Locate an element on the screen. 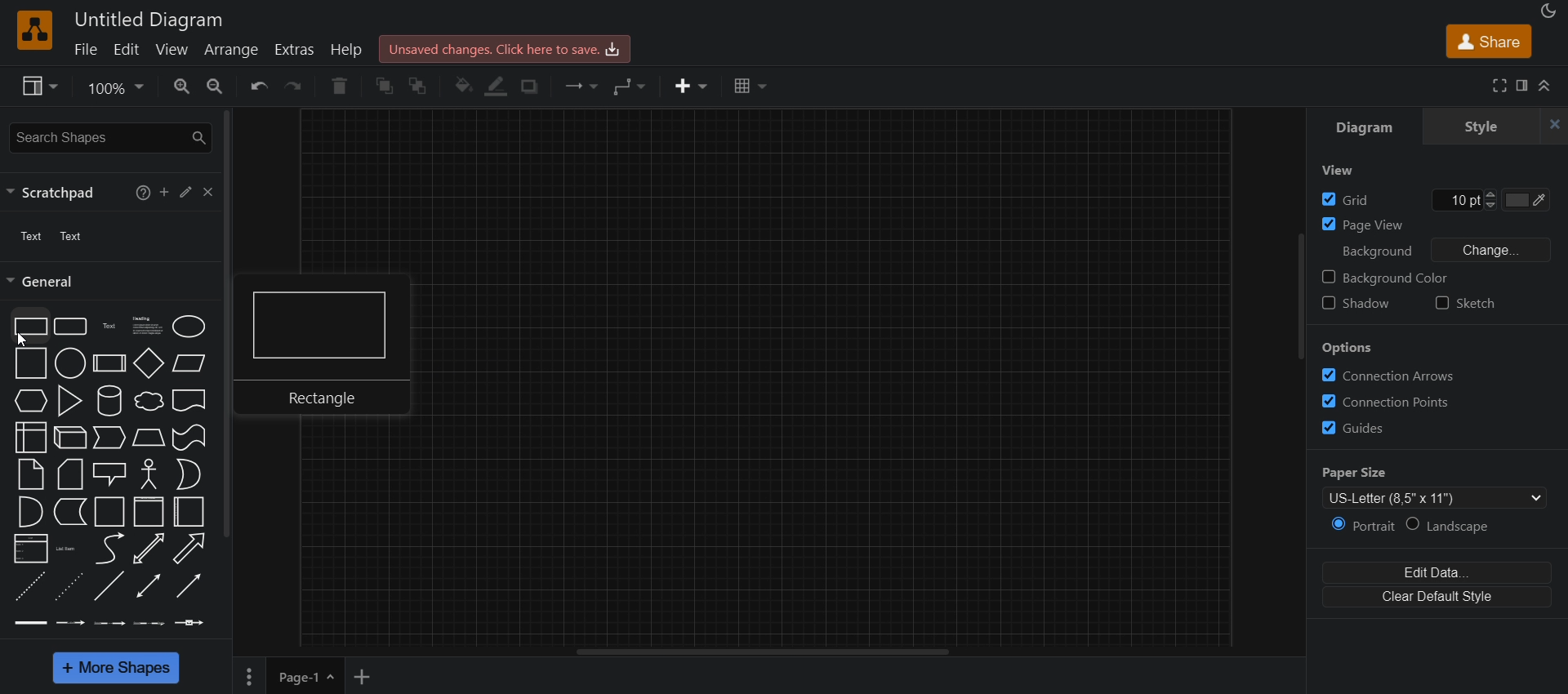 The width and height of the screenshot is (1568, 694). rectangle is located at coordinates (334, 349).